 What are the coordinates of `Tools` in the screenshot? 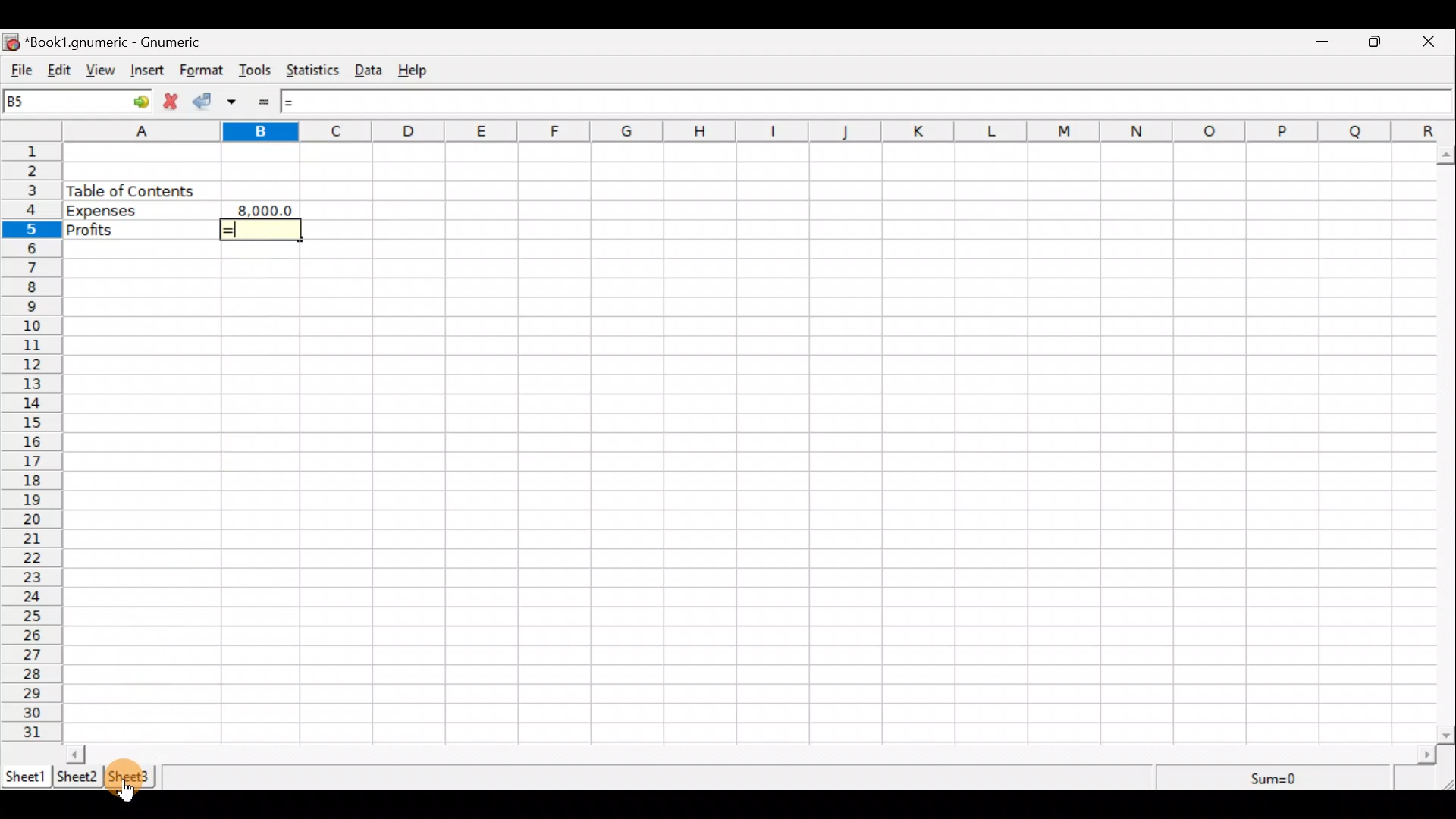 It's located at (256, 71).